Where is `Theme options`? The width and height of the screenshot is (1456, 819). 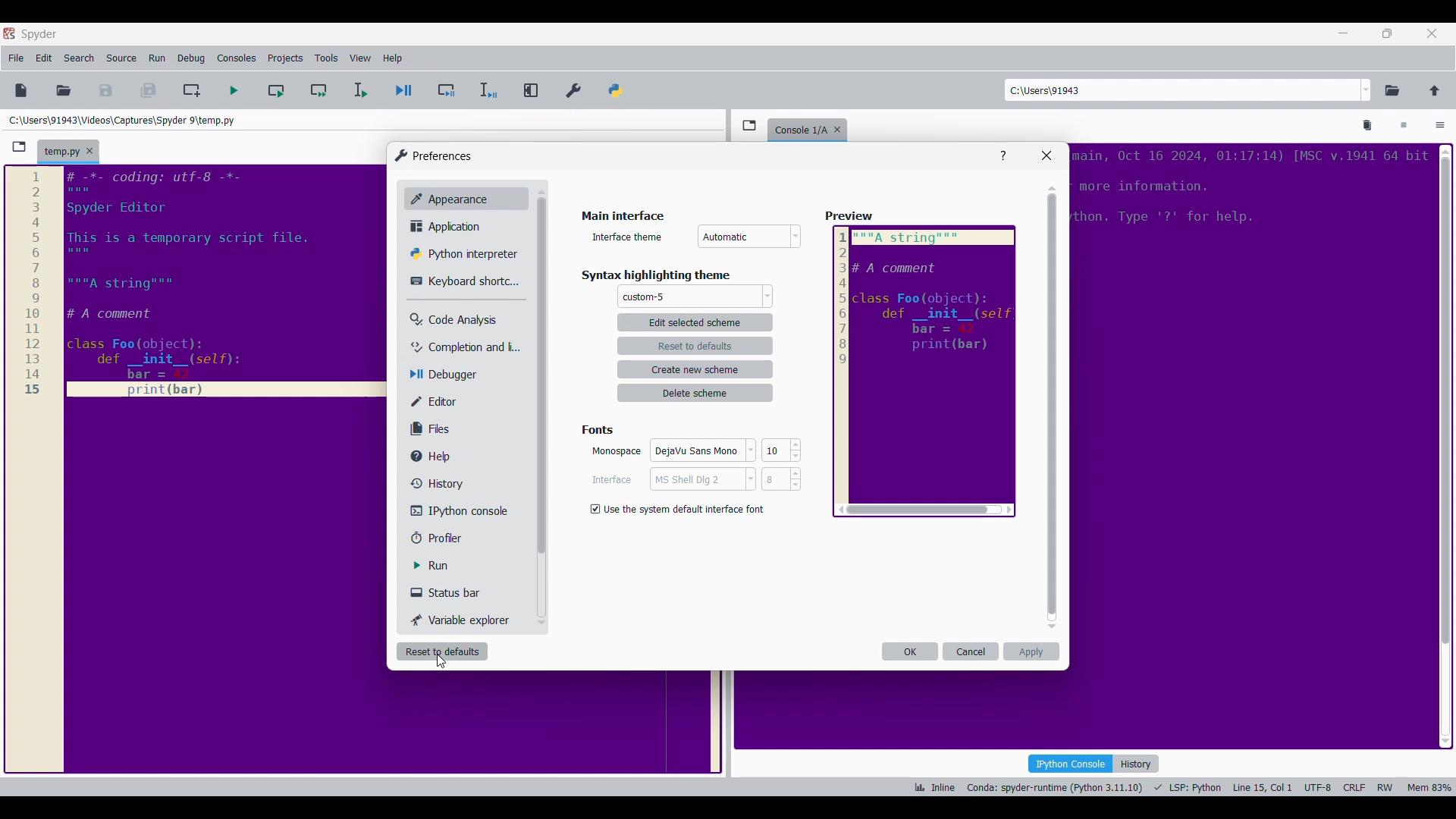 Theme options is located at coordinates (696, 297).